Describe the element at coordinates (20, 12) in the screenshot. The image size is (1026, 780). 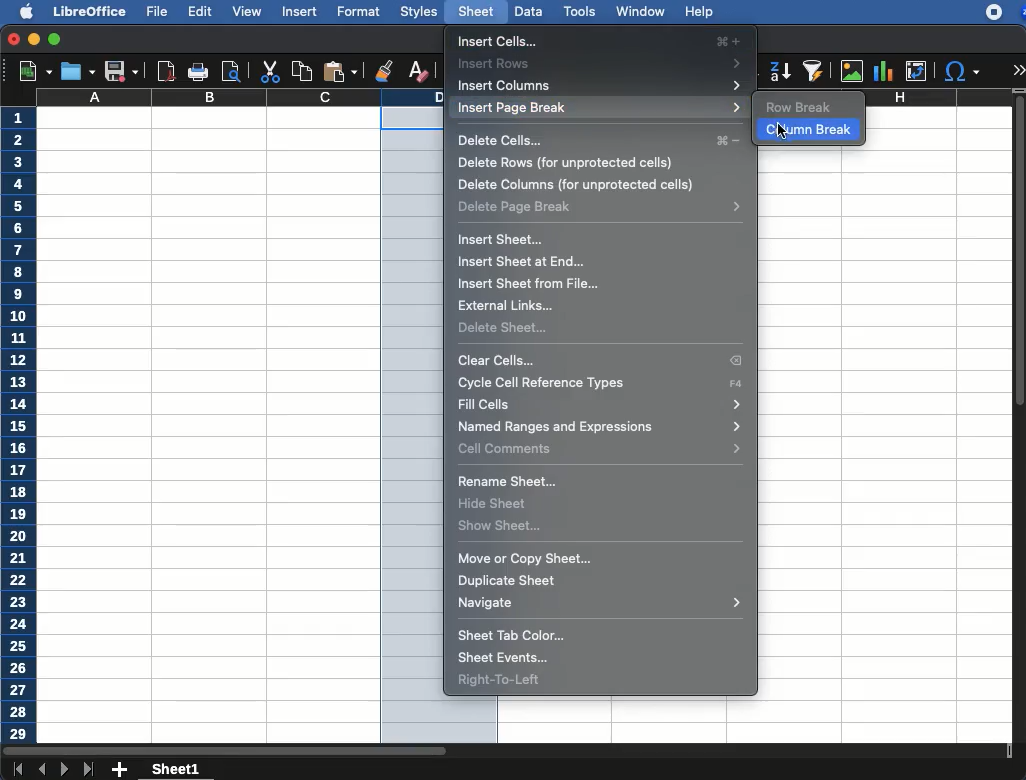
I see `apple` at that location.